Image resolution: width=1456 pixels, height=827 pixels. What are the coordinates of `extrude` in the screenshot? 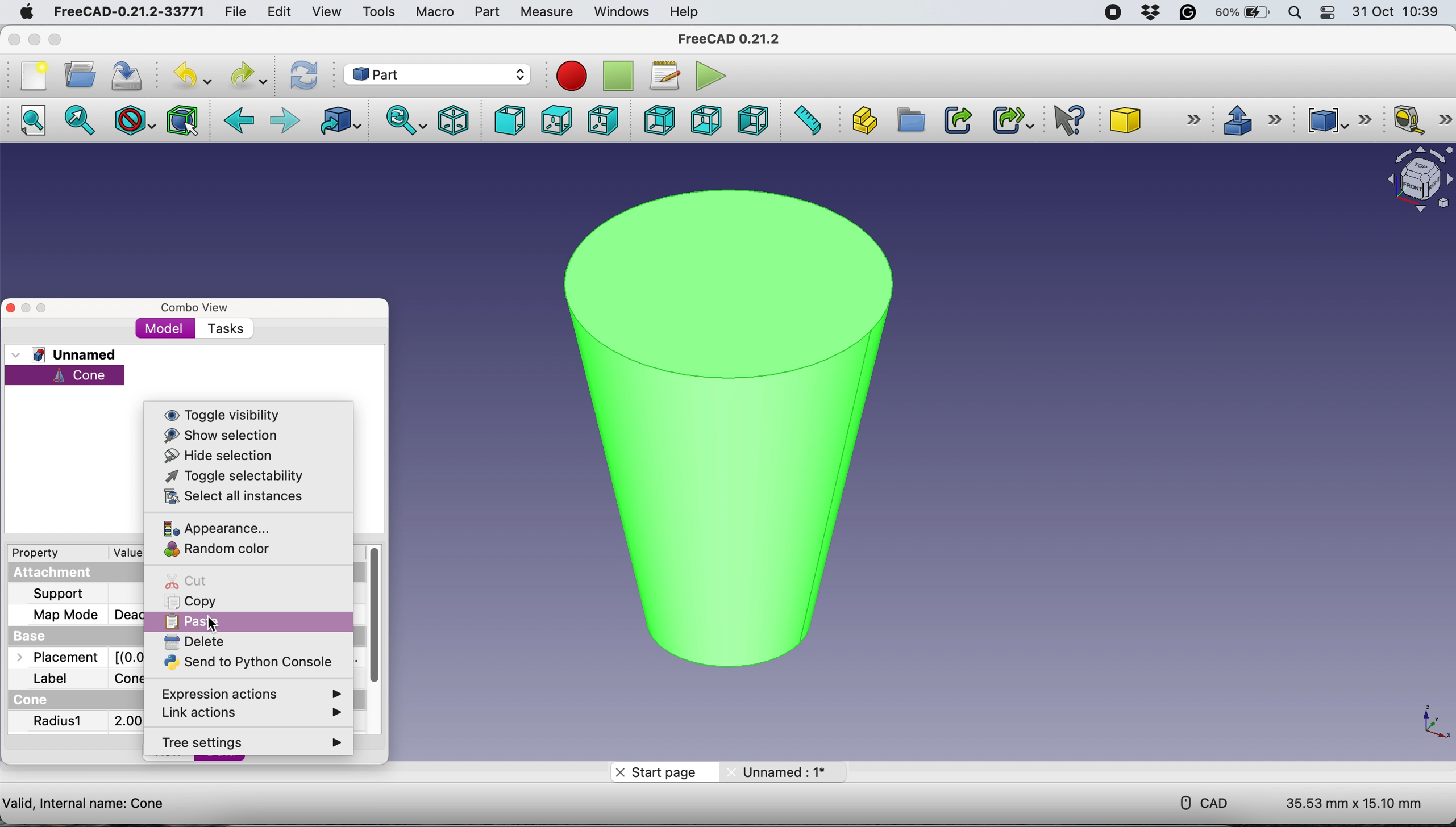 It's located at (1251, 120).